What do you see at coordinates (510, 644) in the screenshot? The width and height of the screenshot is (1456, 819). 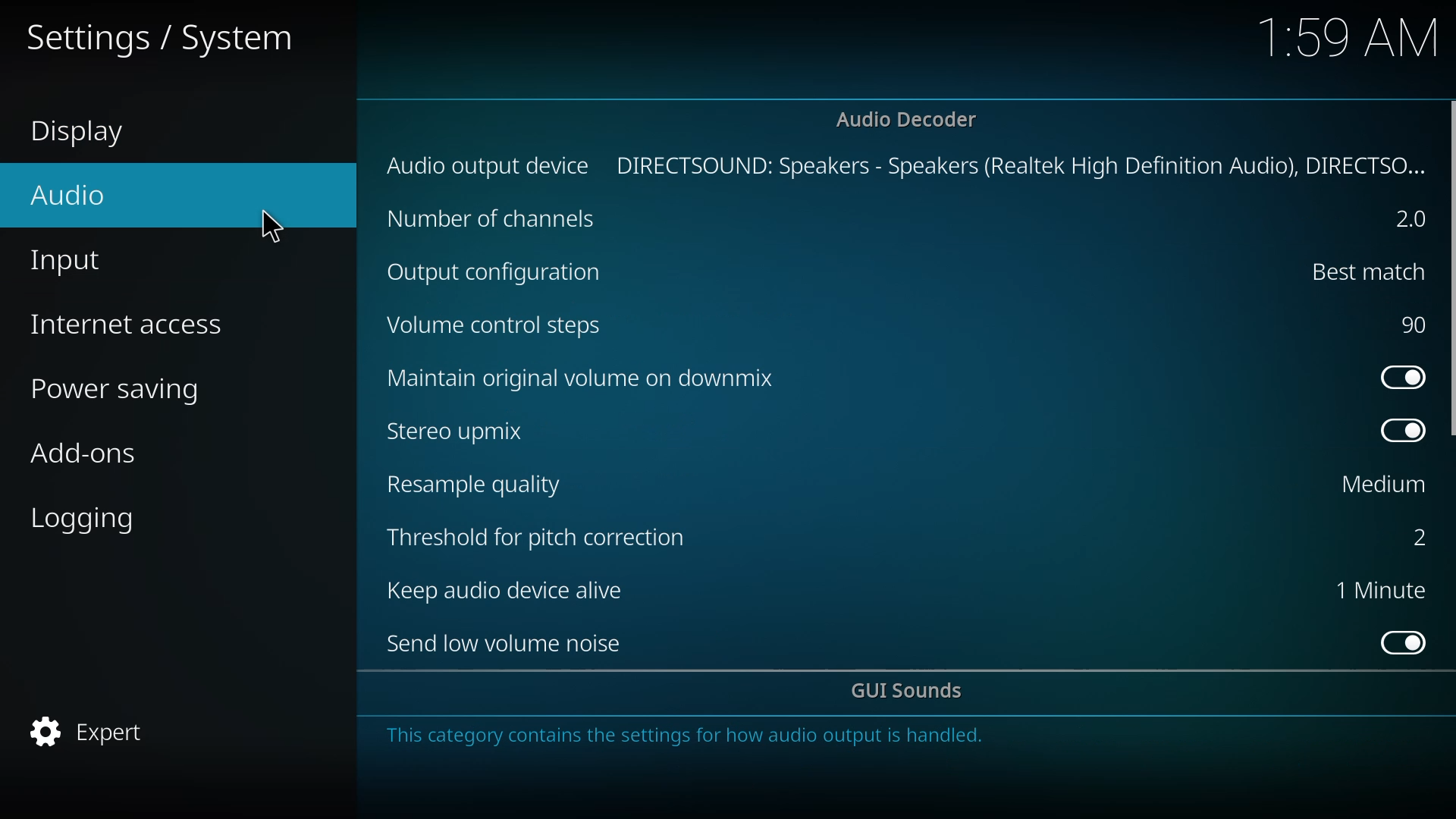 I see `send low volume noise` at bounding box center [510, 644].